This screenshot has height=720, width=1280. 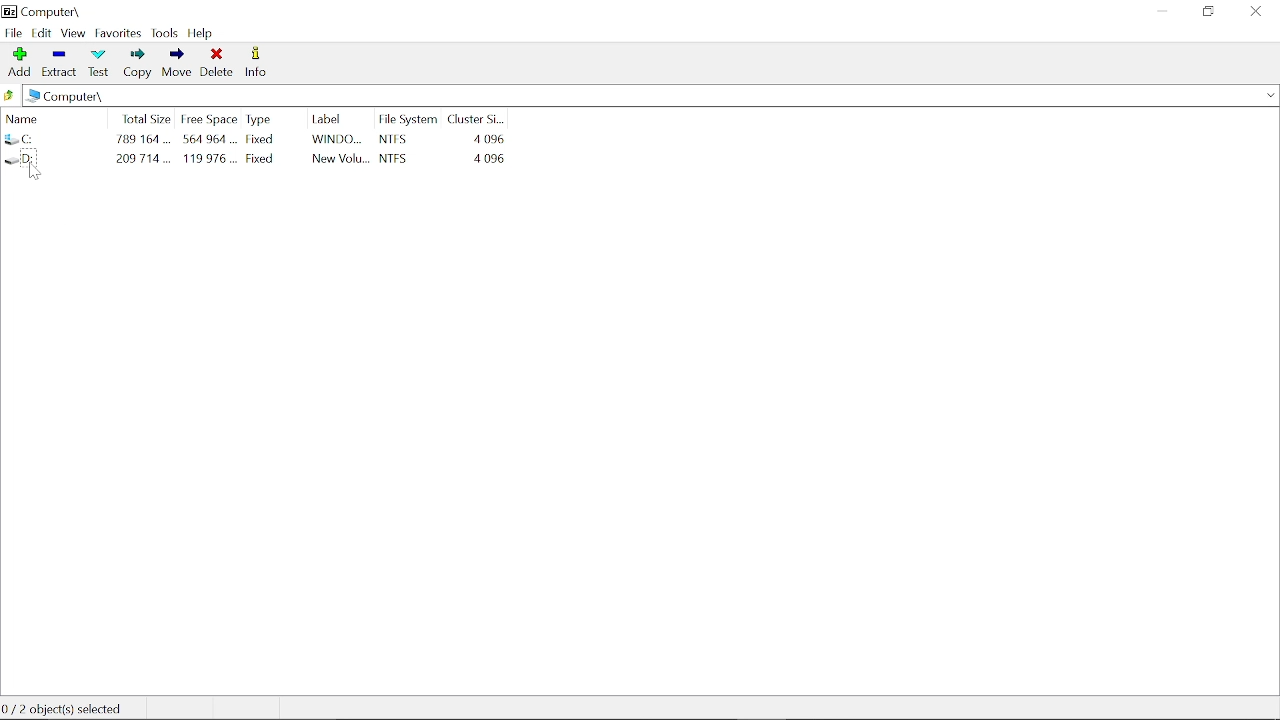 What do you see at coordinates (408, 118) in the screenshot?
I see `file system` at bounding box center [408, 118].